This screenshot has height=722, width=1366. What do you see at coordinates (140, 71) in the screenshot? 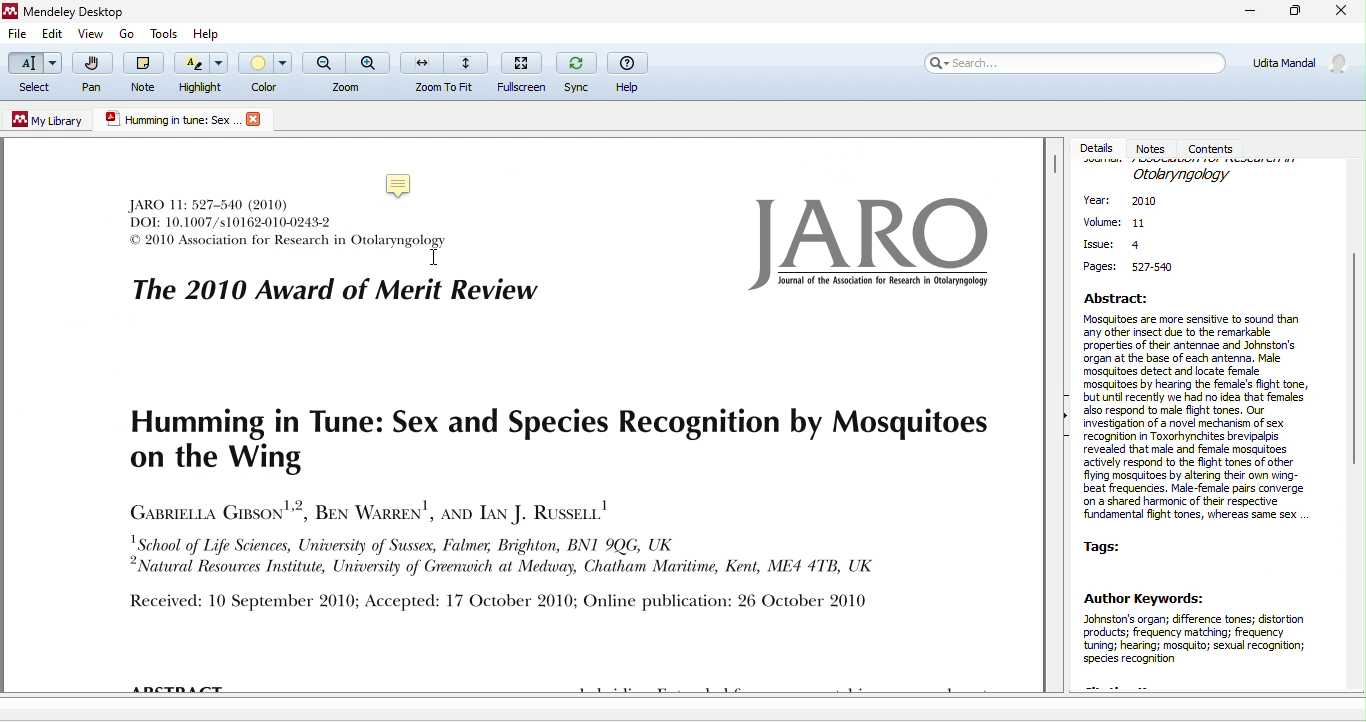
I see `note` at bounding box center [140, 71].